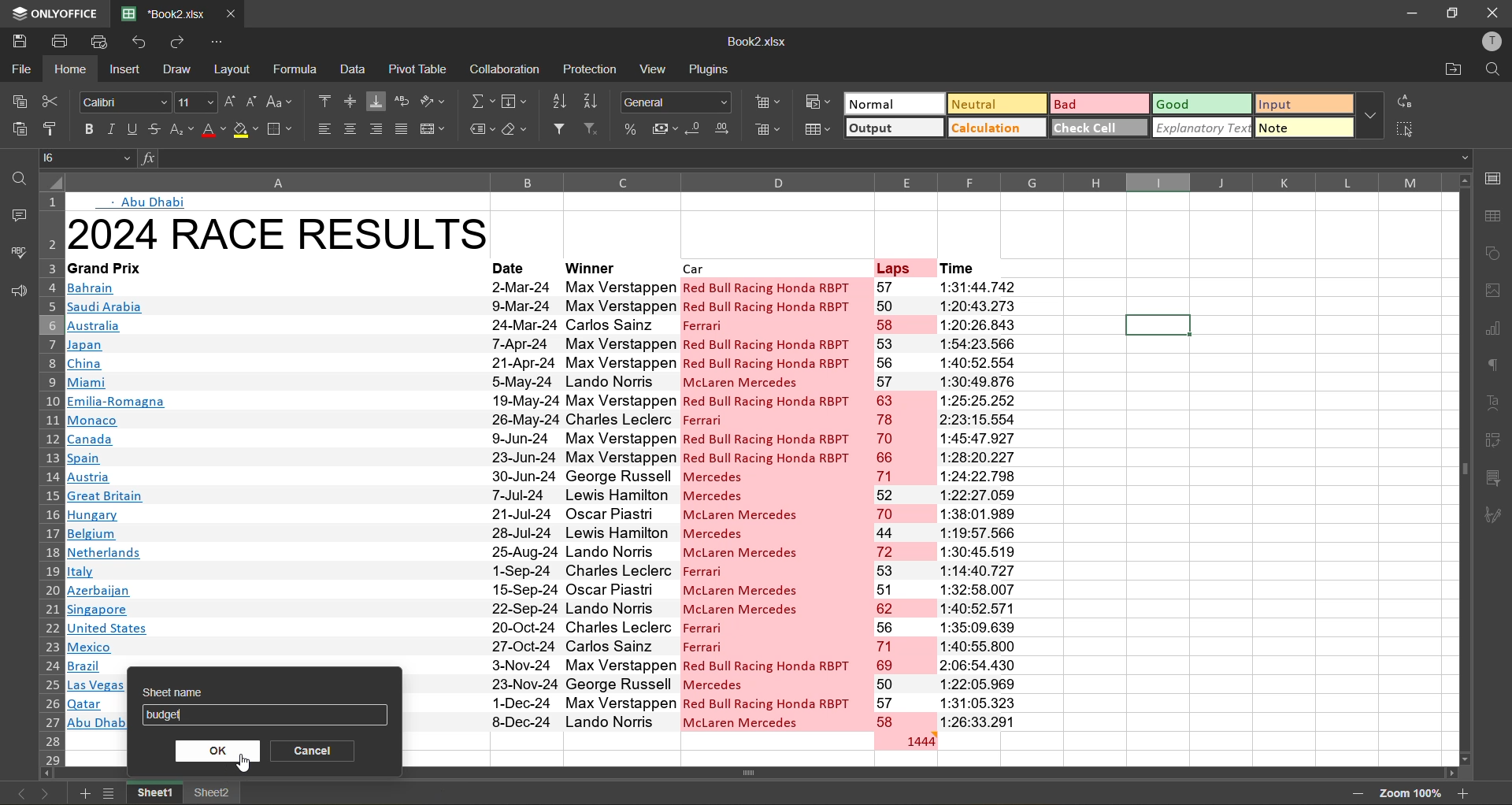  Describe the element at coordinates (276, 230) in the screenshot. I see `title` at that location.